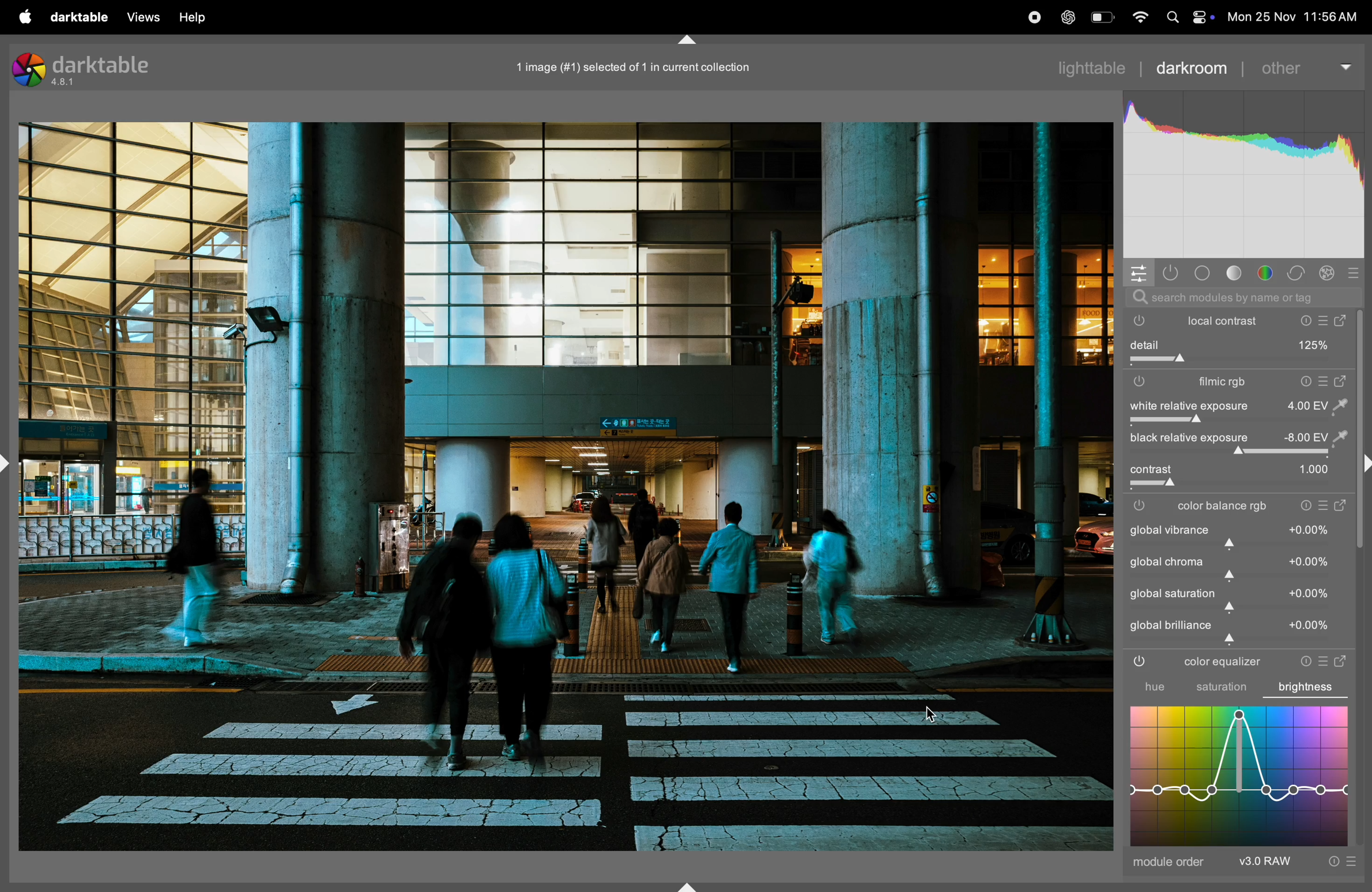 The height and width of the screenshot is (892, 1372). Describe the element at coordinates (1170, 864) in the screenshot. I see `module order` at that location.